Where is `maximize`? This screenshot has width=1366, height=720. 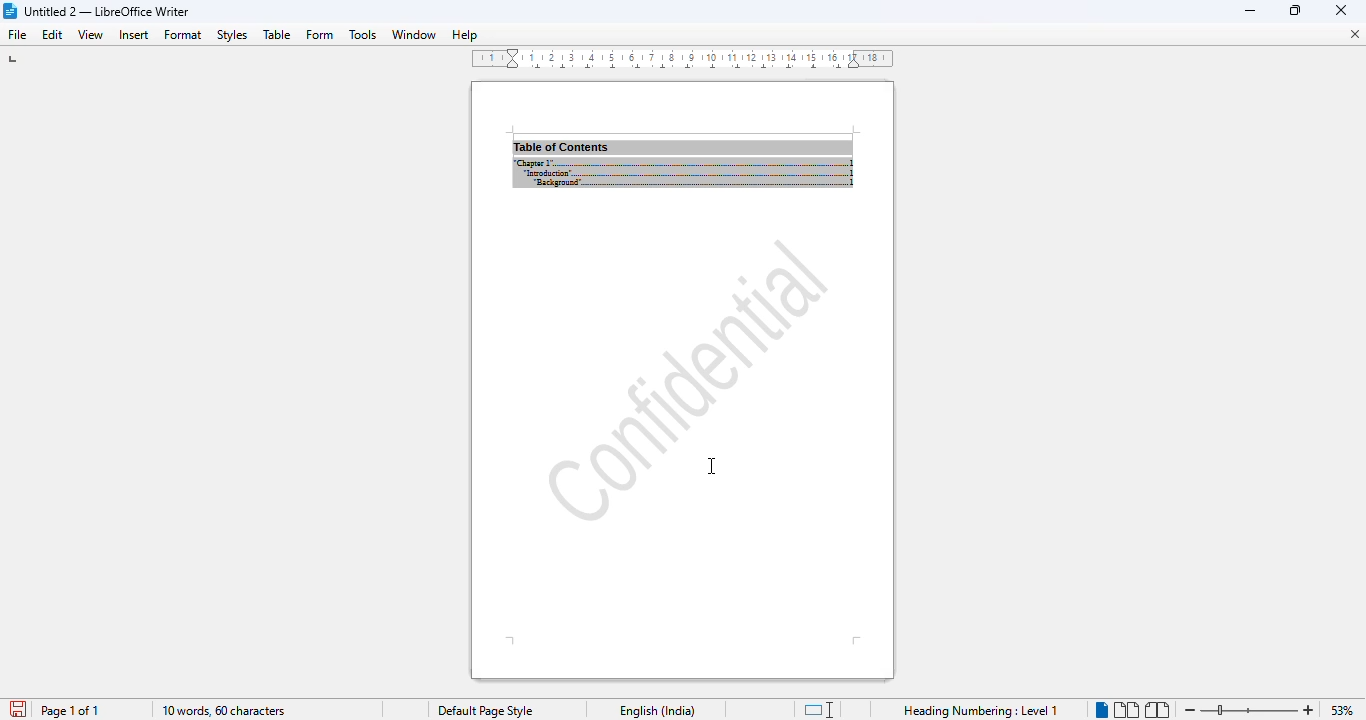 maximize is located at coordinates (1297, 11).